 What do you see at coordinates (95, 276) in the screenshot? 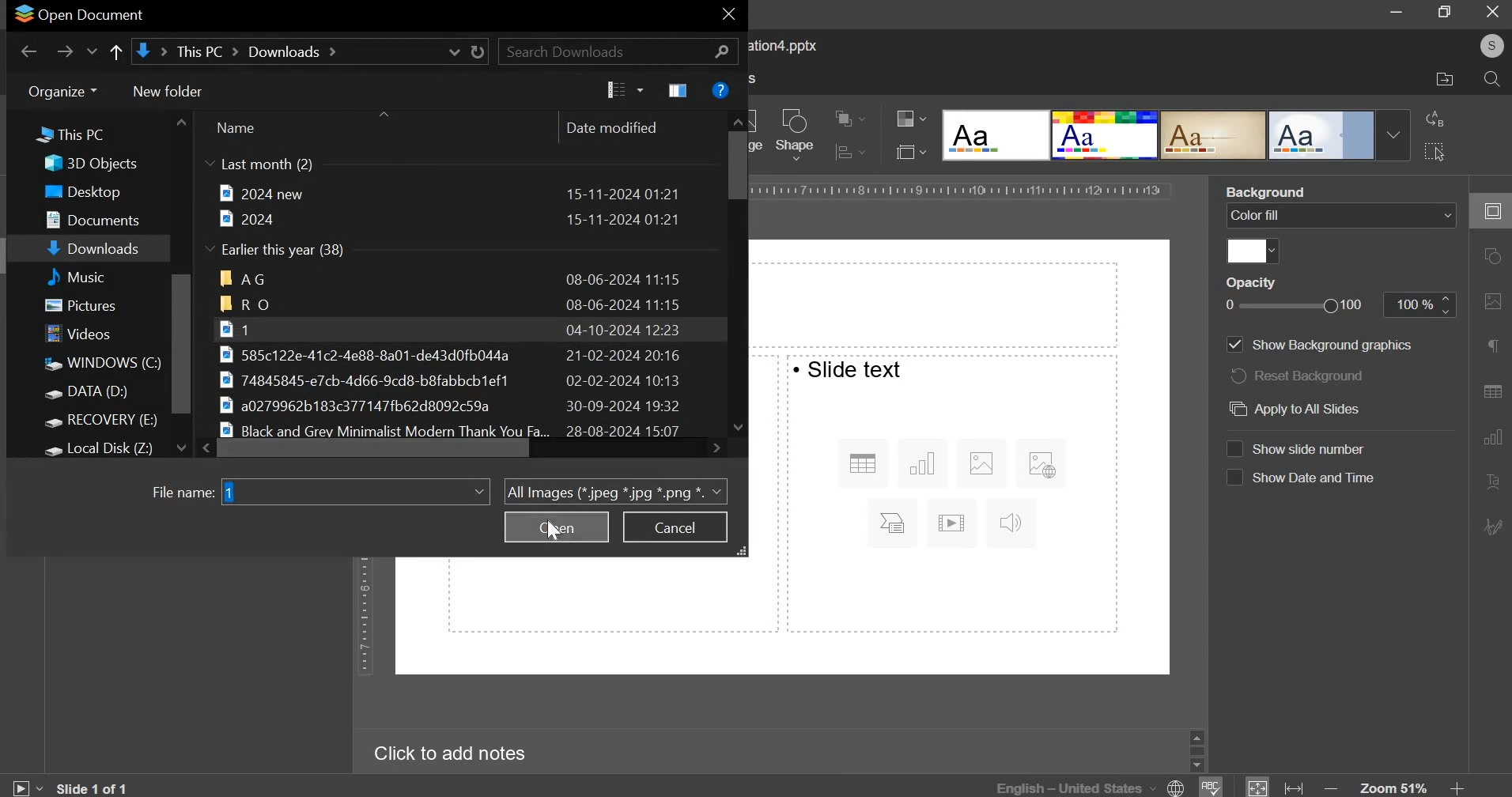
I see `music` at bounding box center [95, 276].